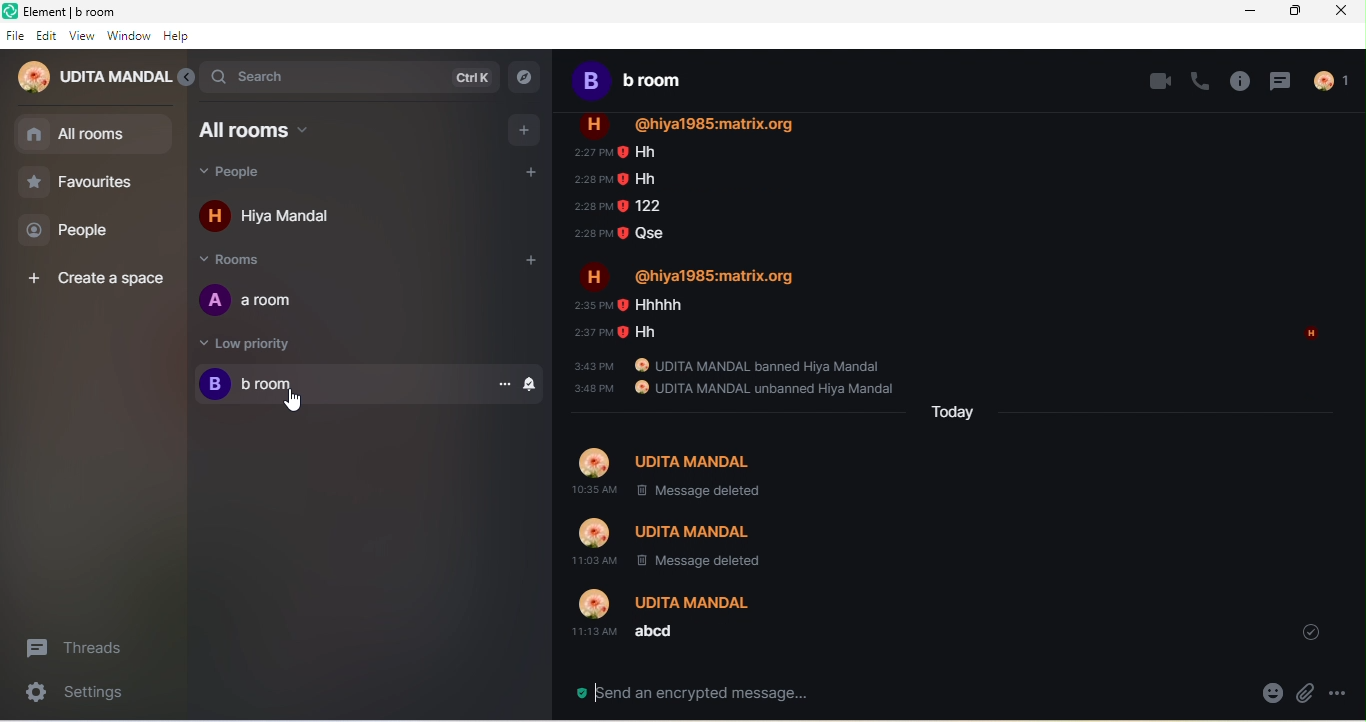  I want to click on send a encrypted message, so click(701, 691).